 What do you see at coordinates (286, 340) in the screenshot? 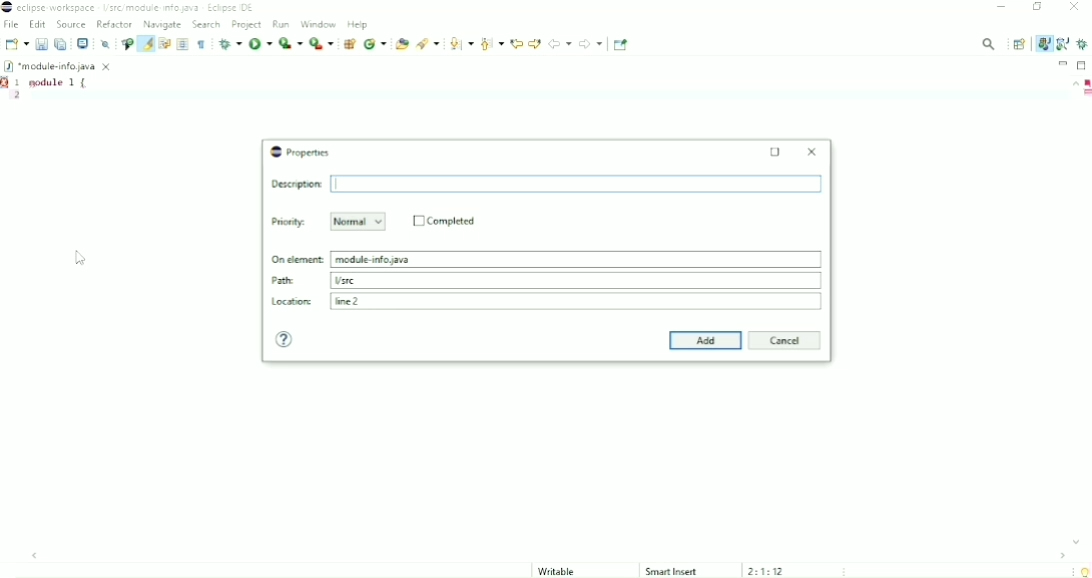
I see `Help` at bounding box center [286, 340].